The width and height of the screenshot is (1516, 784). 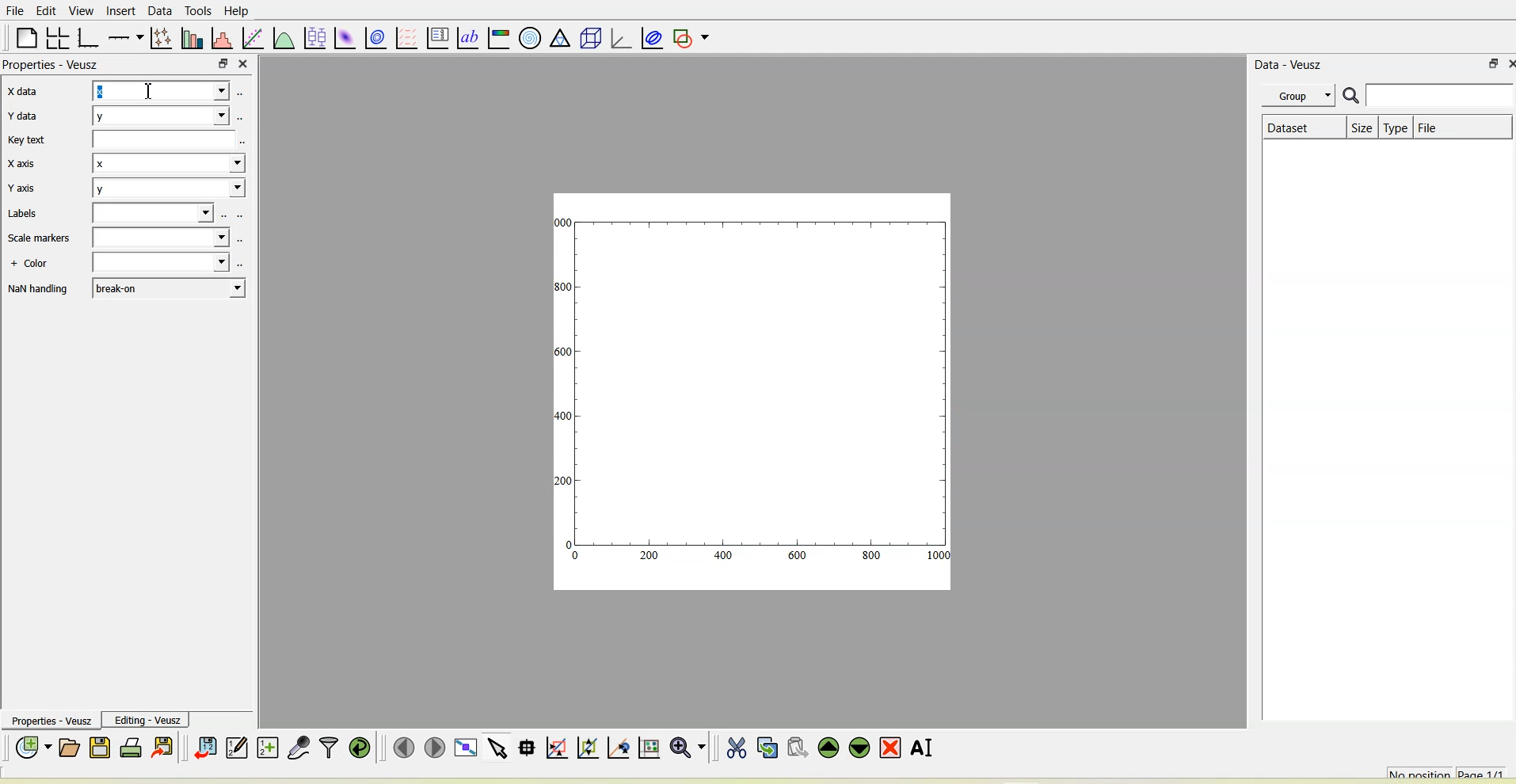 I want to click on Page 1/1, so click(x=1487, y=772).